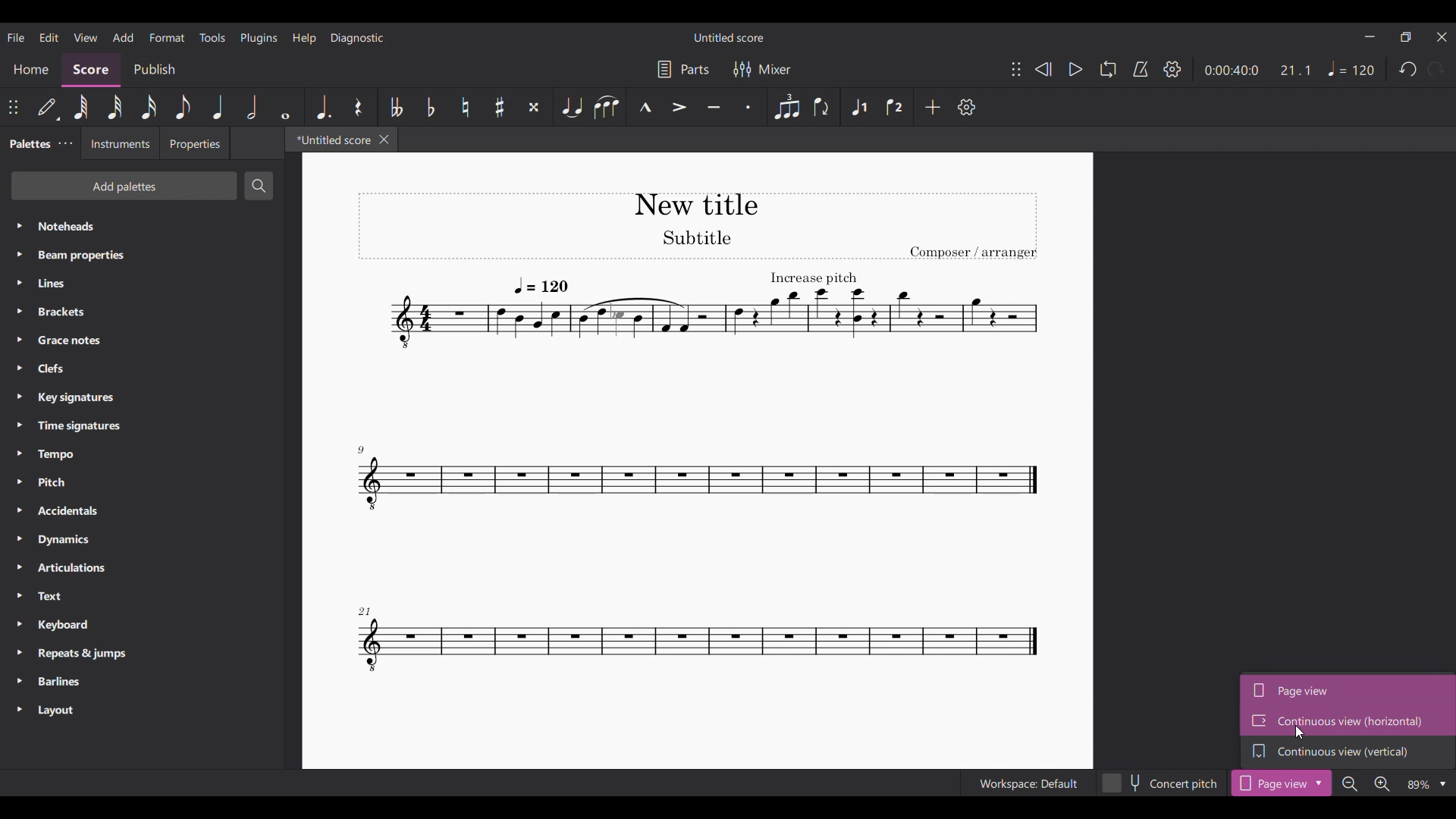 The image size is (1456, 819). What do you see at coordinates (143, 312) in the screenshot?
I see `Brackets` at bounding box center [143, 312].